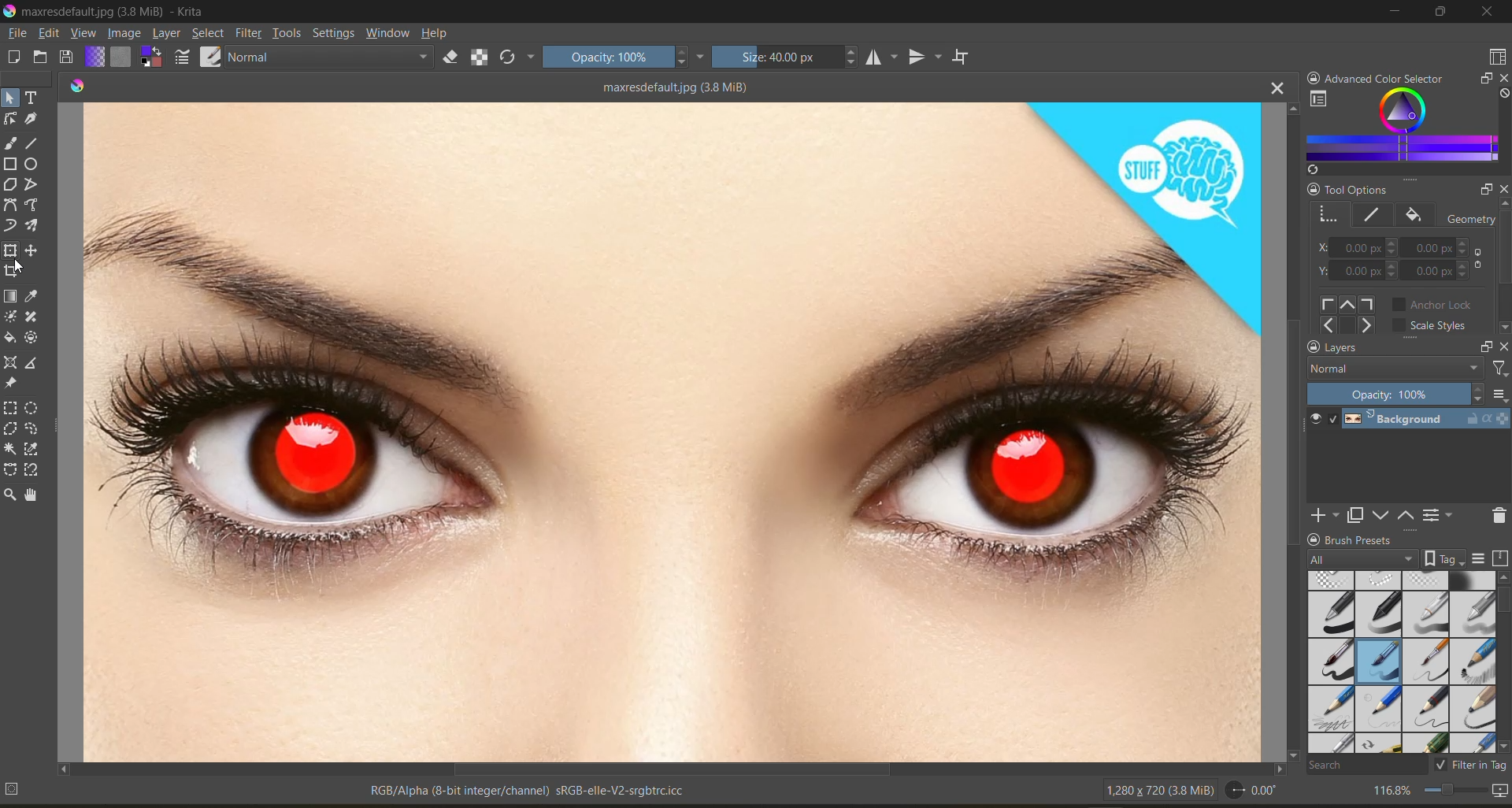 The width and height of the screenshot is (1512, 808). Describe the element at coordinates (32, 206) in the screenshot. I see `tool` at that location.